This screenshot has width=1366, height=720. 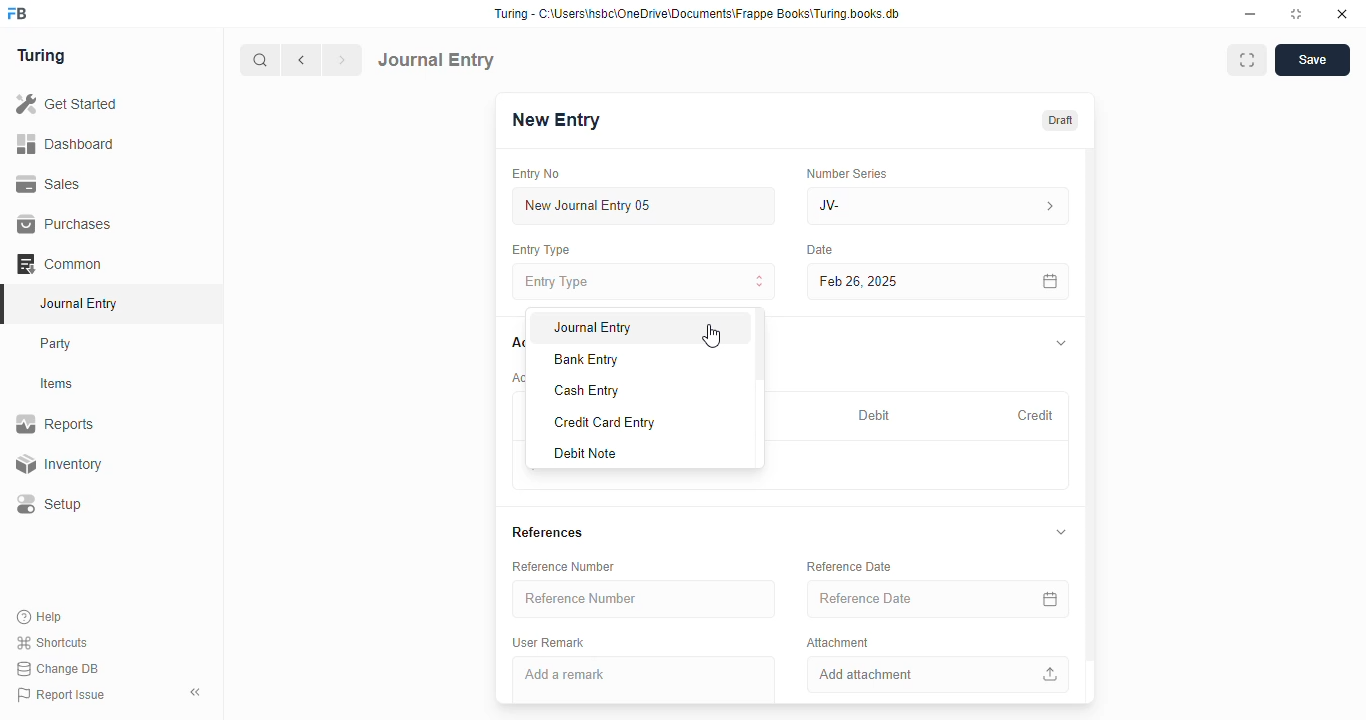 What do you see at coordinates (58, 669) in the screenshot?
I see `change DB` at bounding box center [58, 669].